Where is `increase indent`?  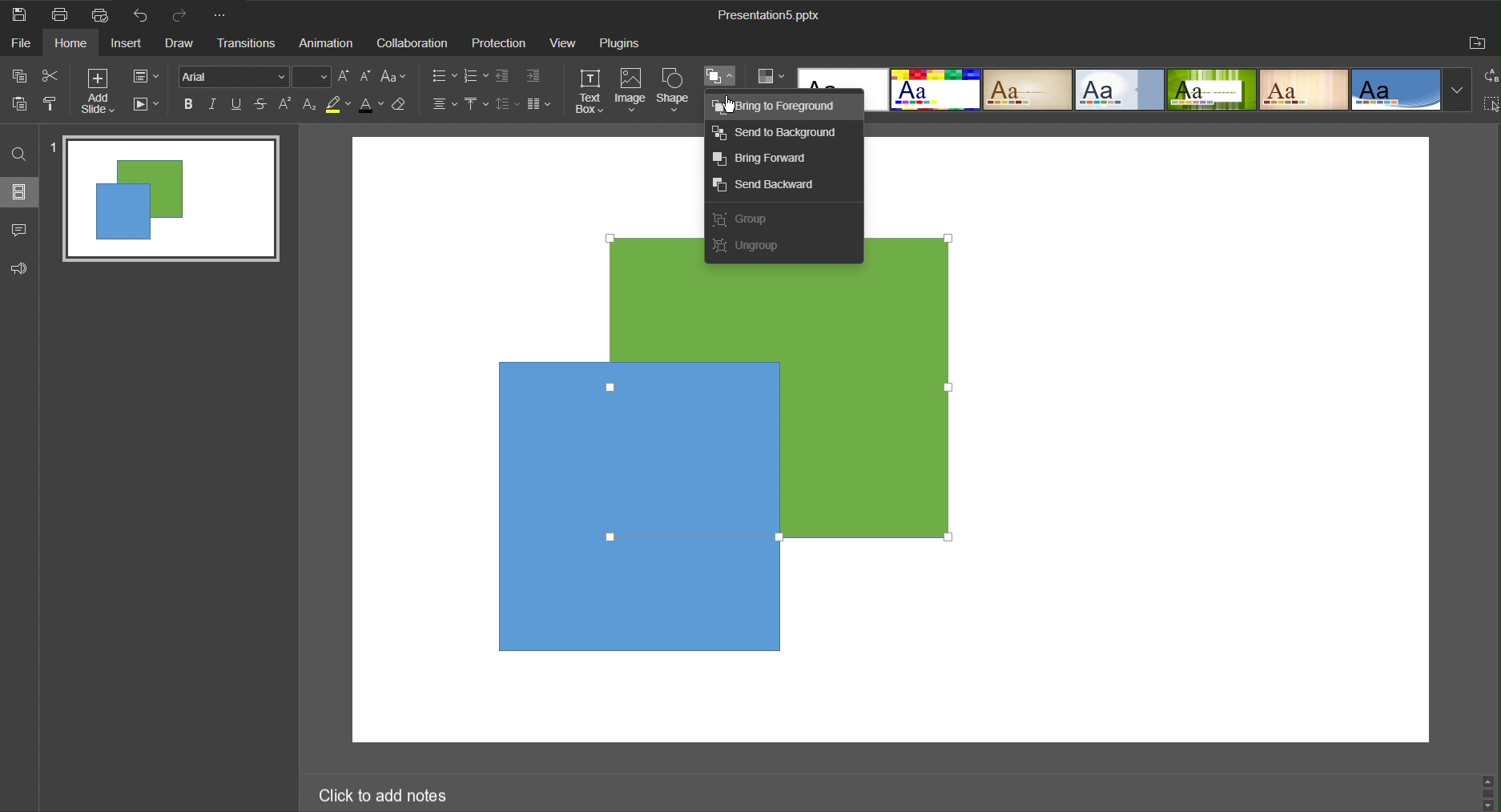
increase indent is located at coordinates (537, 74).